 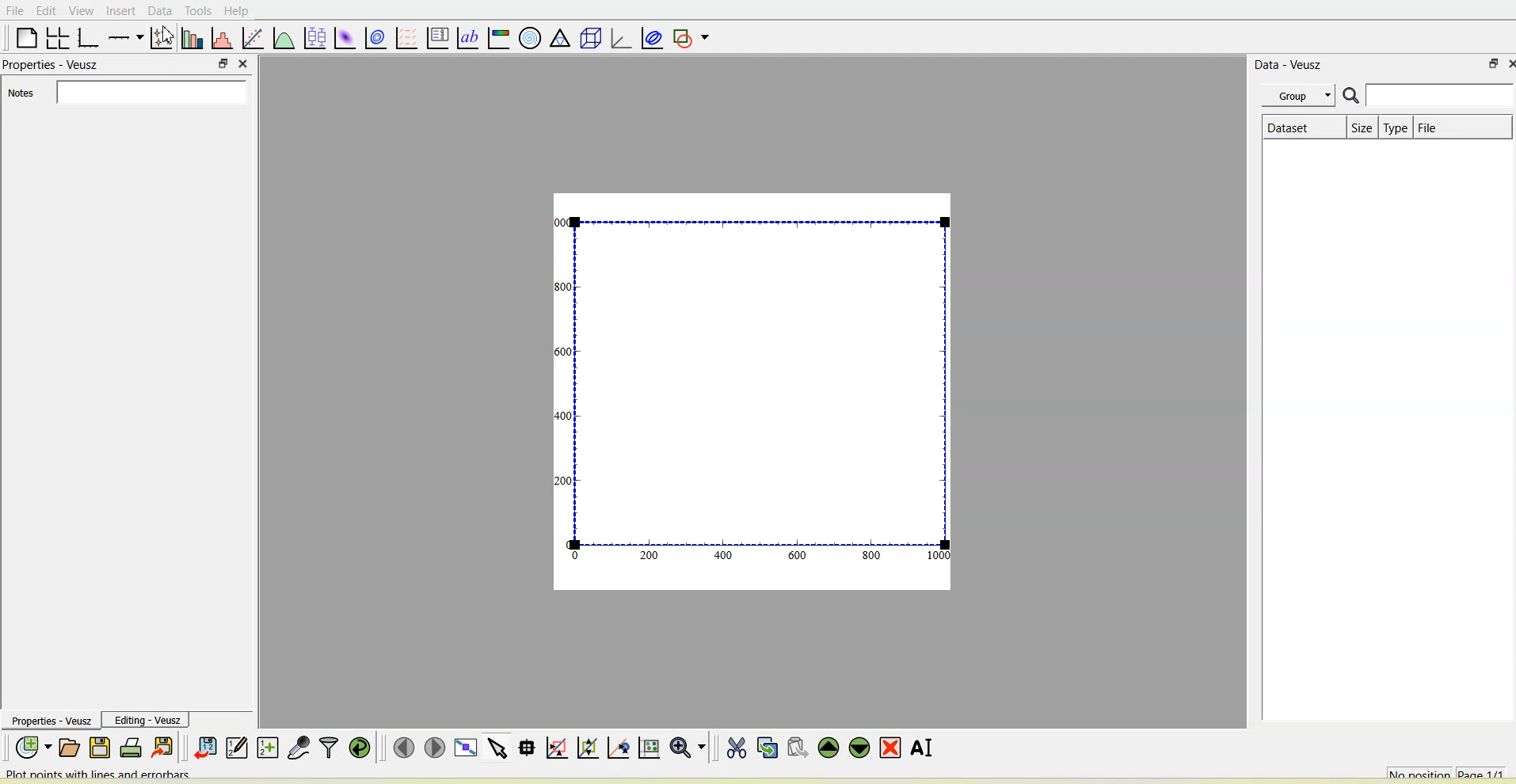 I want to click on Click to zoom out of graph axes, so click(x=589, y=749).